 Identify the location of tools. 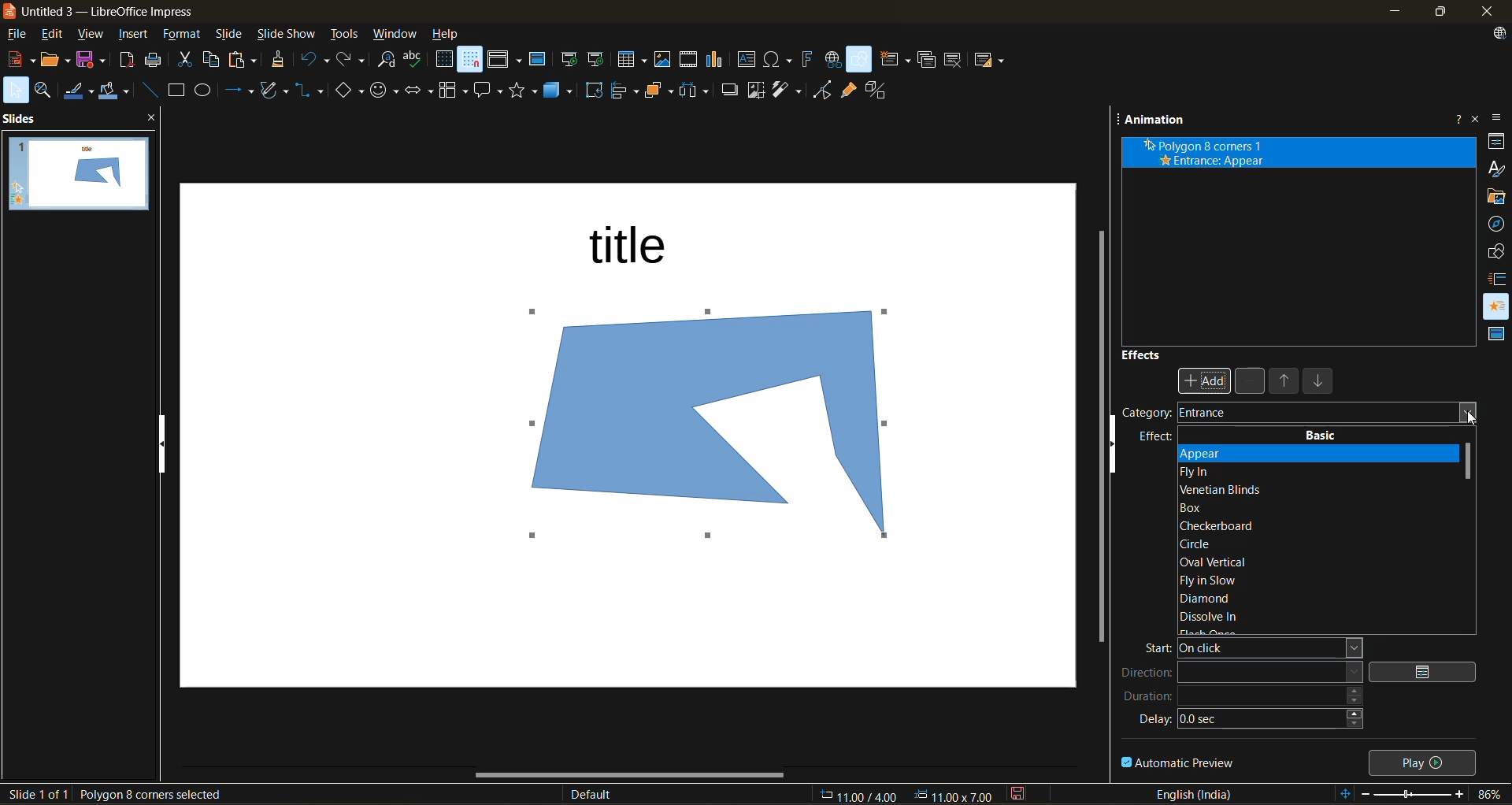
(350, 35).